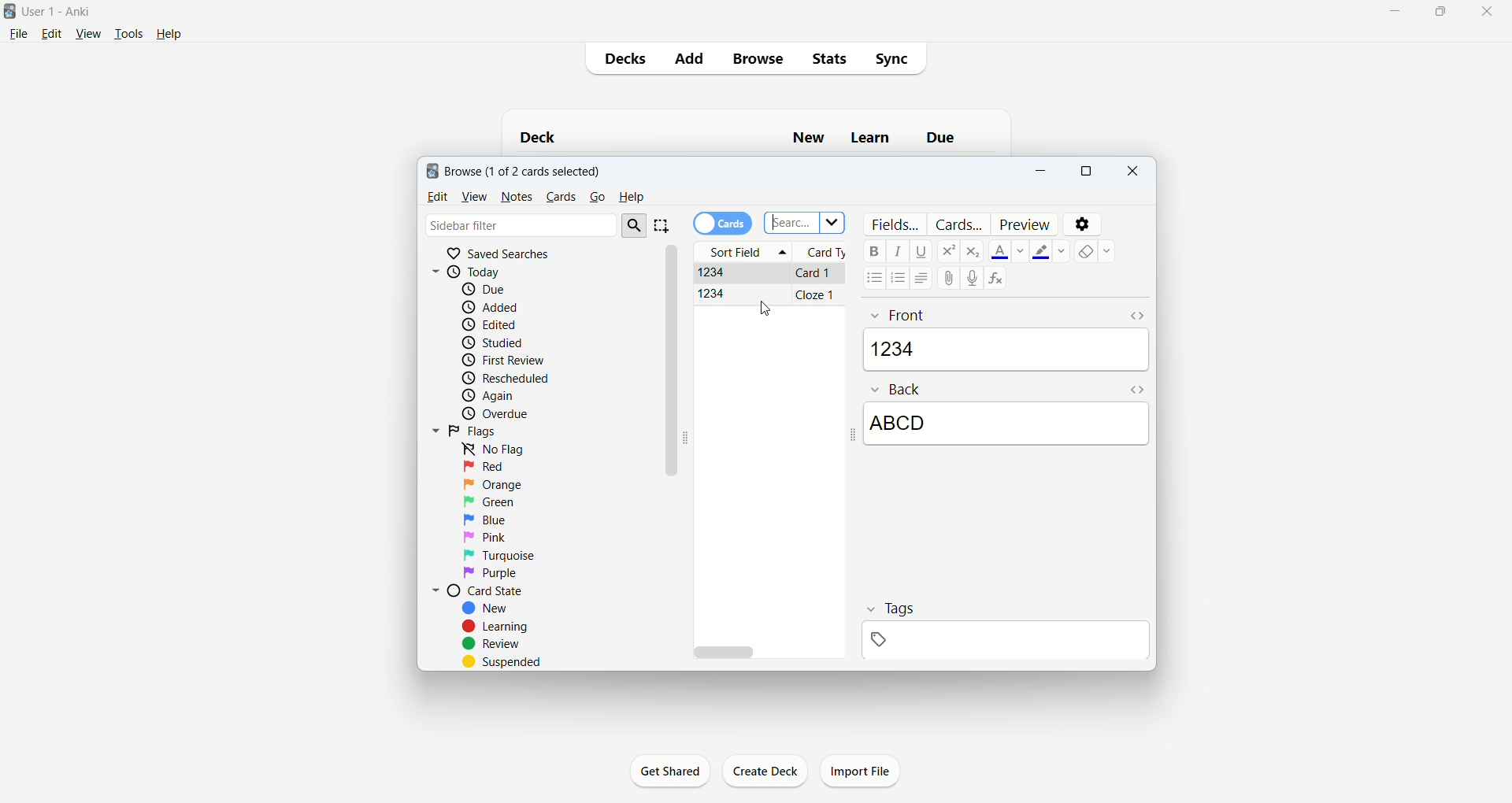  Describe the element at coordinates (829, 61) in the screenshot. I see `stats` at that location.